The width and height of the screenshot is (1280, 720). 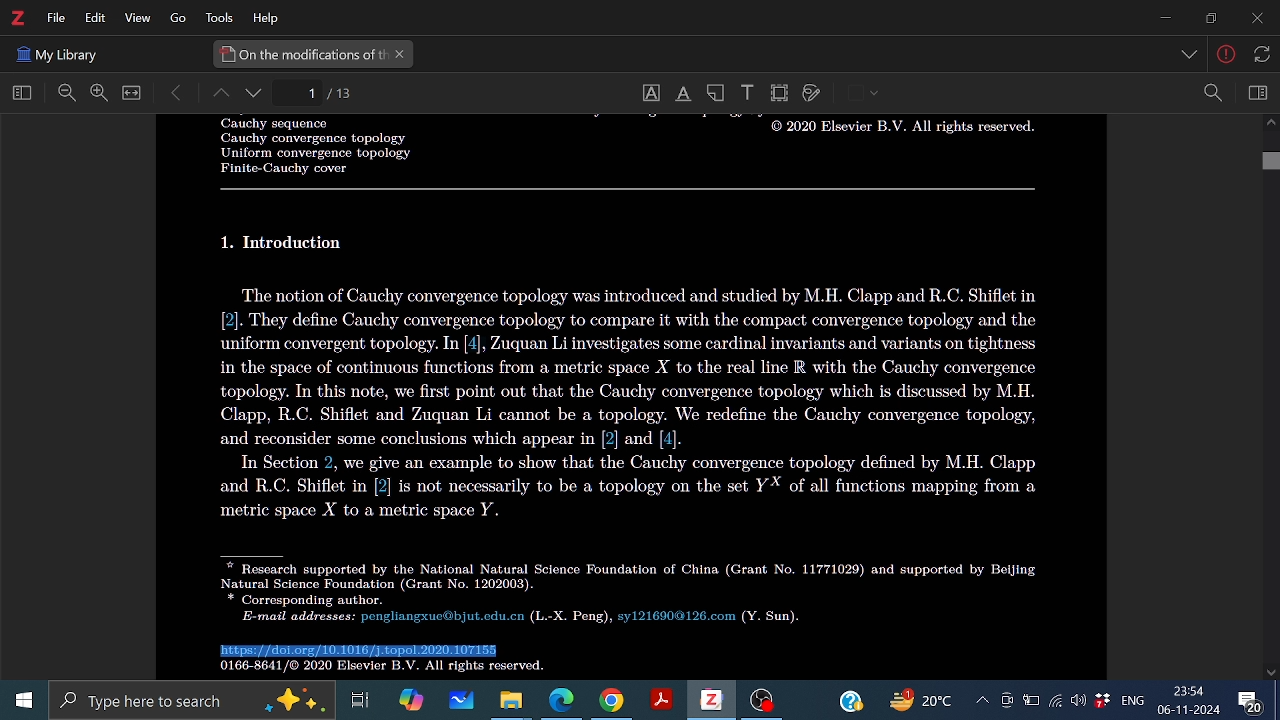 I want to click on , so click(x=875, y=94).